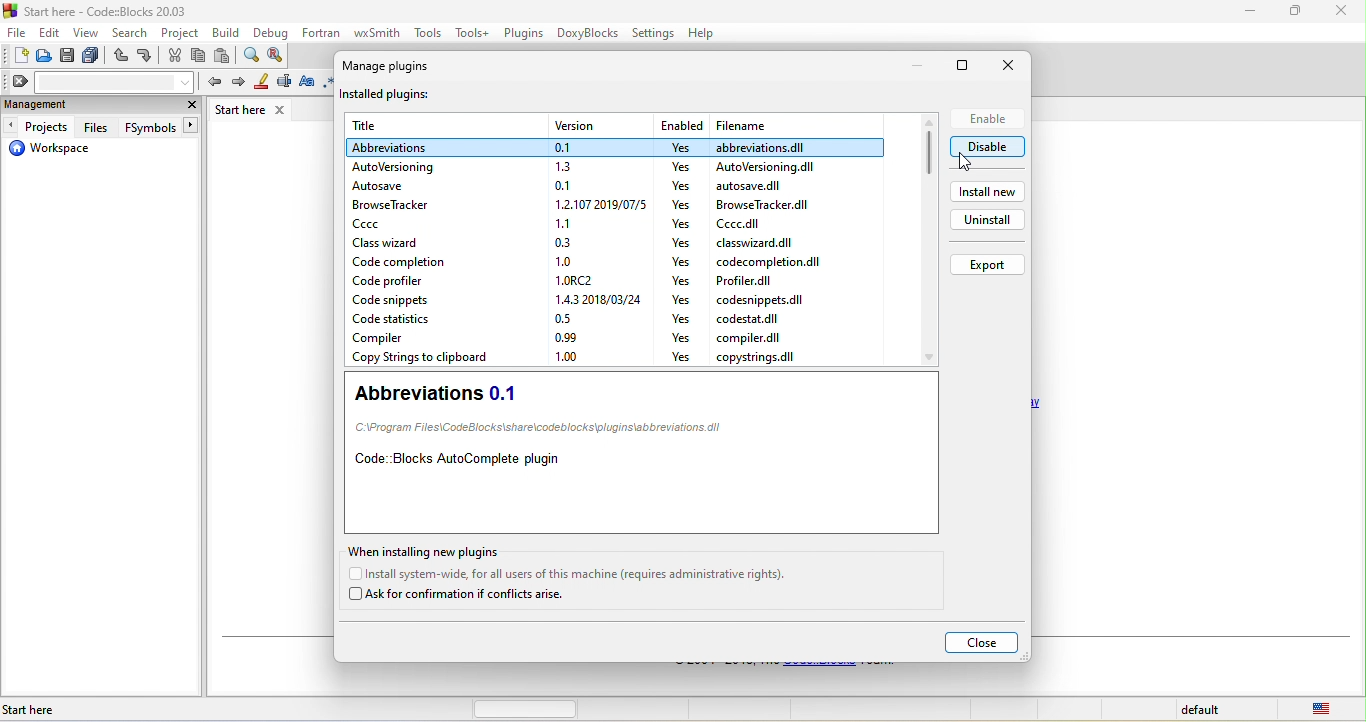 This screenshot has height=722, width=1366. I want to click on plug in selected, so click(610, 146).